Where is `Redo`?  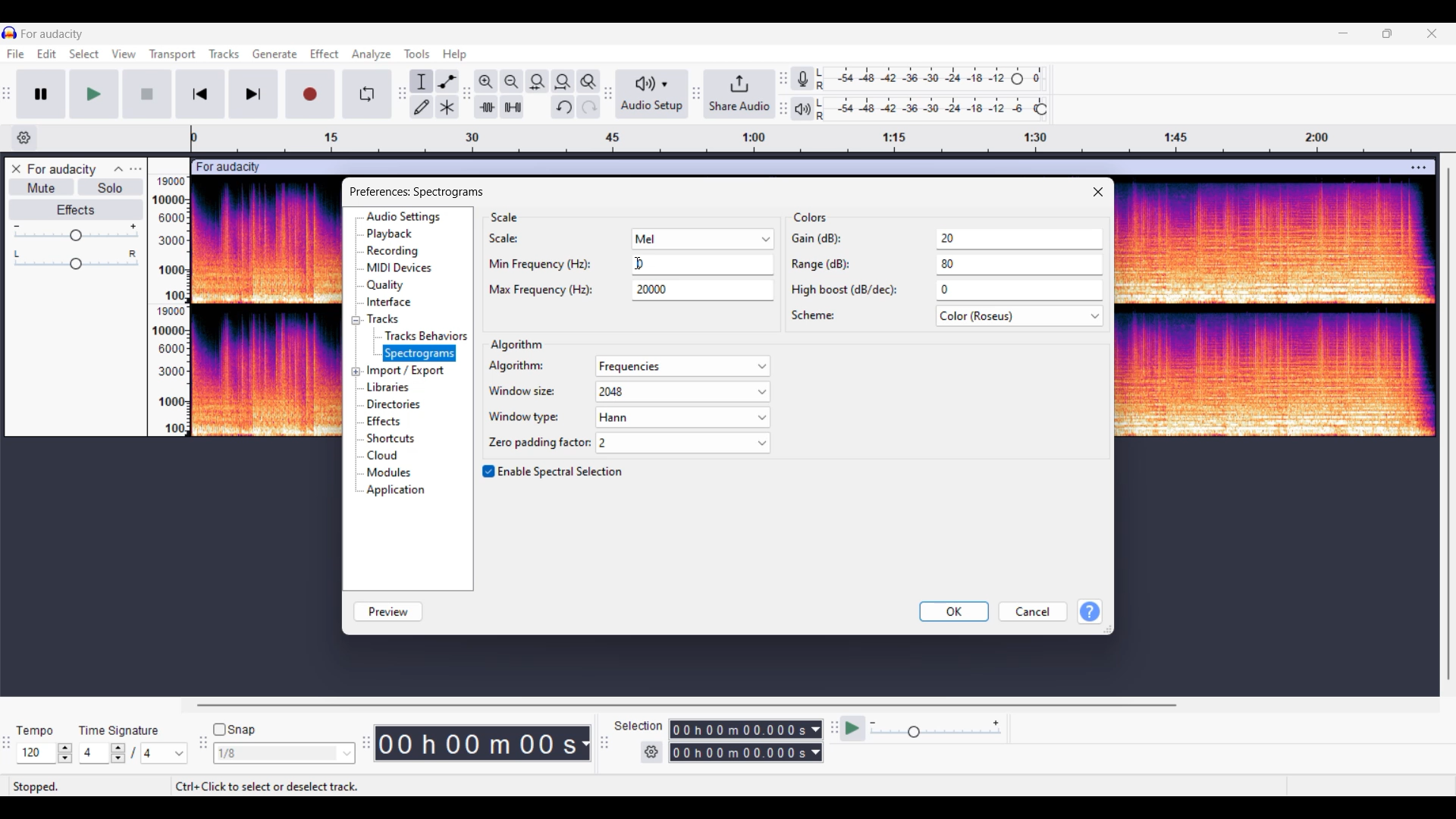 Redo is located at coordinates (588, 107).